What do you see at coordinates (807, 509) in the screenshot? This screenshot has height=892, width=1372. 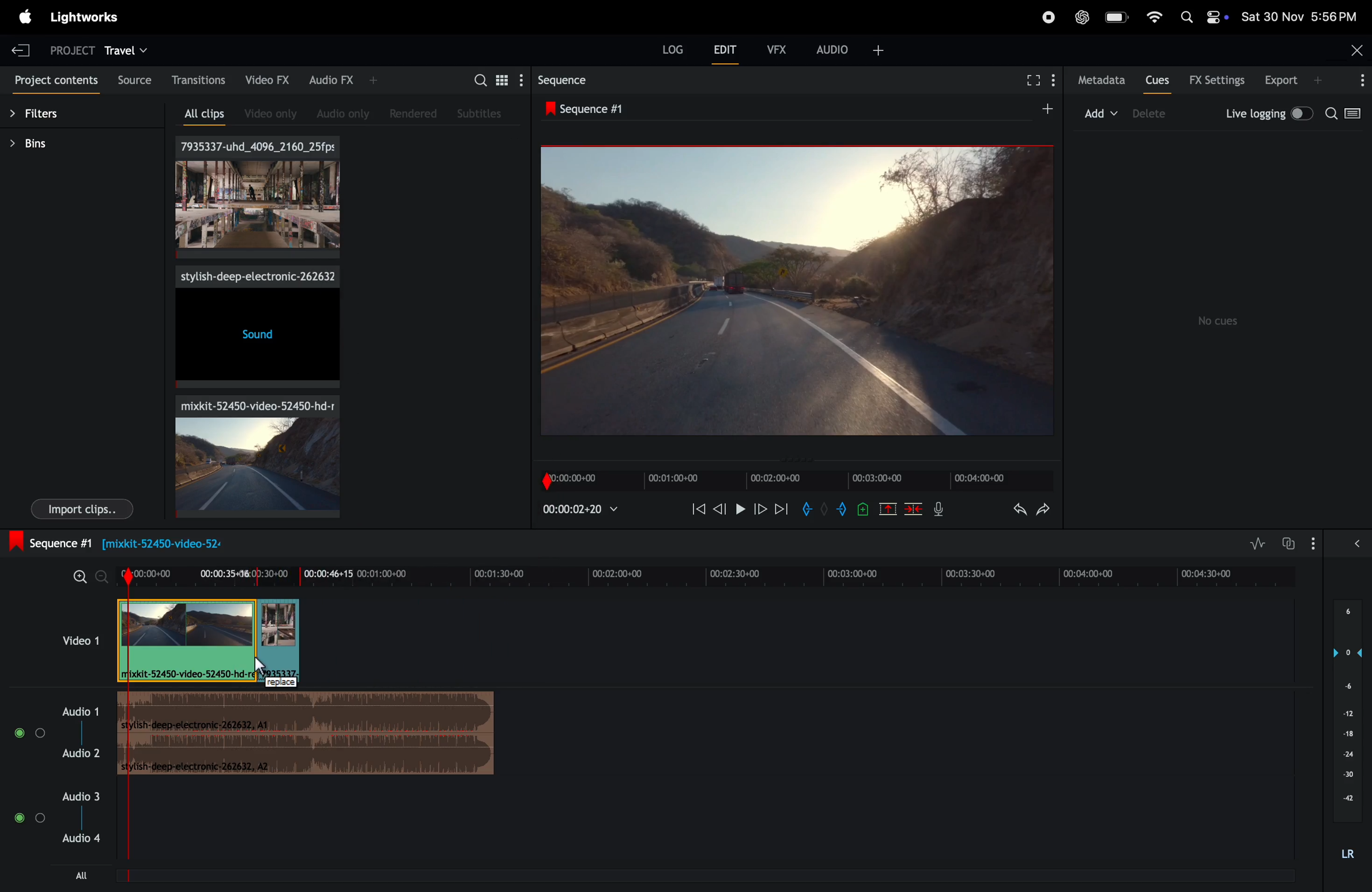 I see `add in` at bounding box center [807, 509].